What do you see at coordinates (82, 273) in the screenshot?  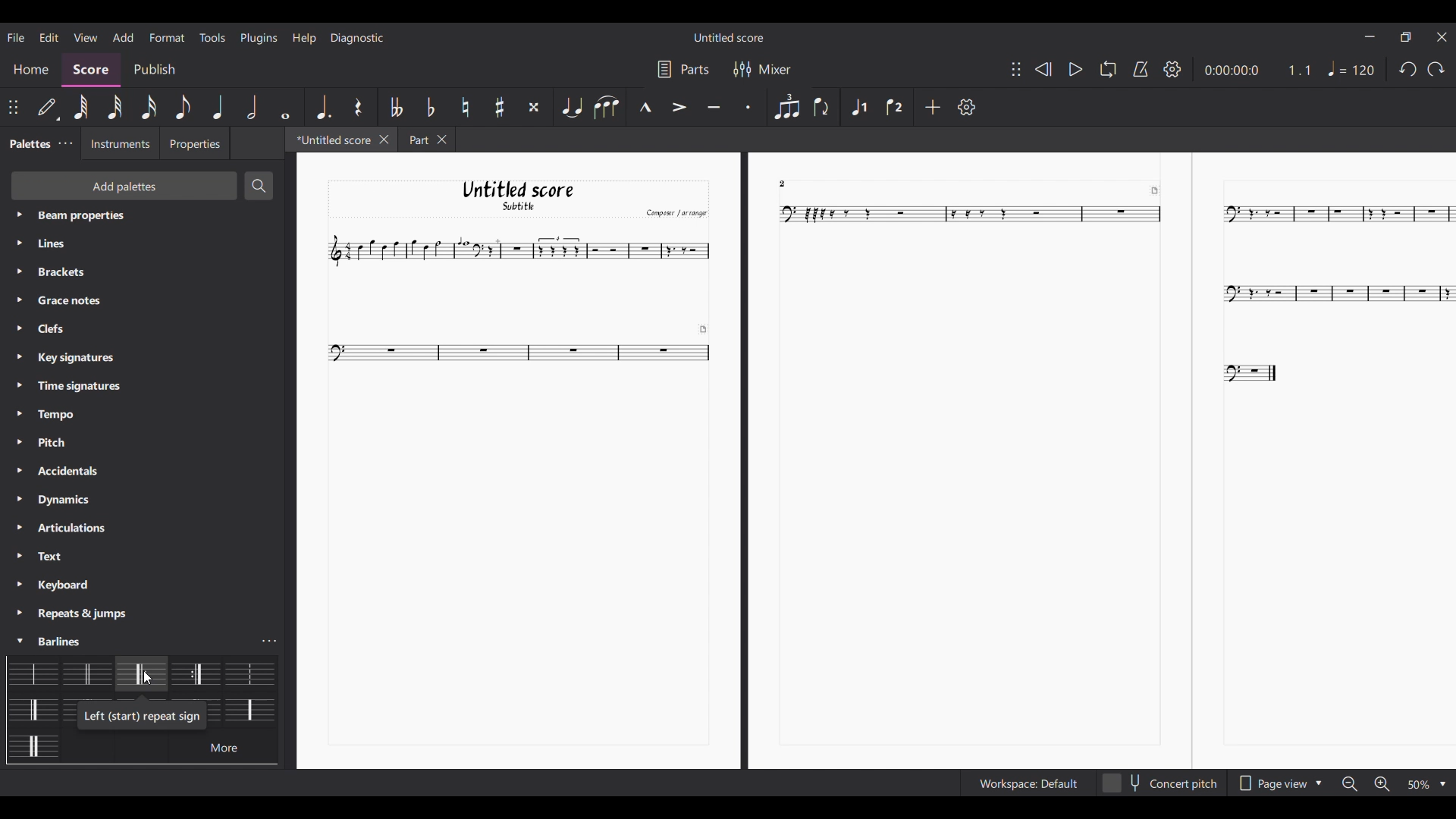 I see `Palette settings` at bounding box center [82, 273].